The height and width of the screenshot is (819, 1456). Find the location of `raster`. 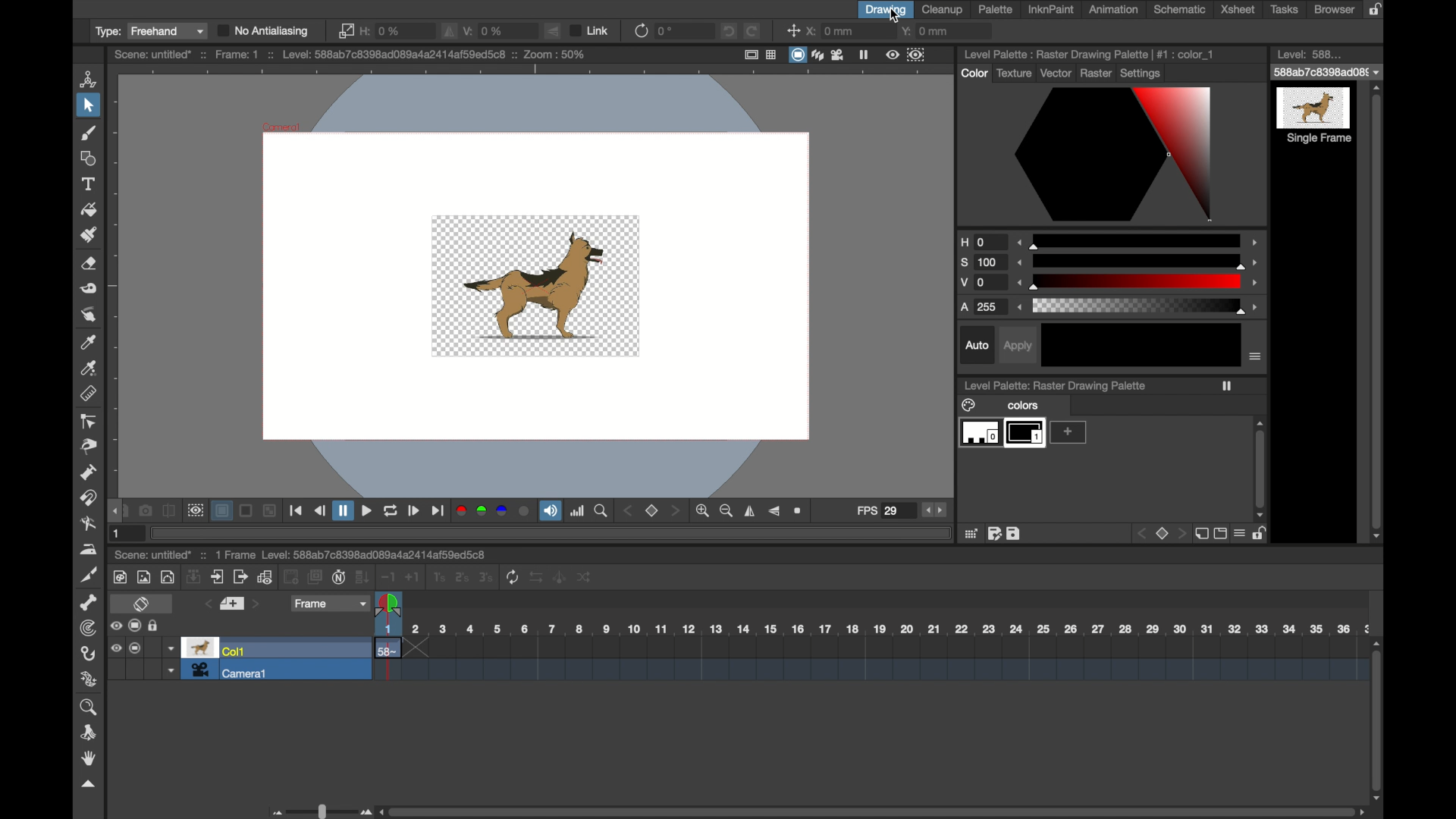

raster is located at coordinates (1096, 75).